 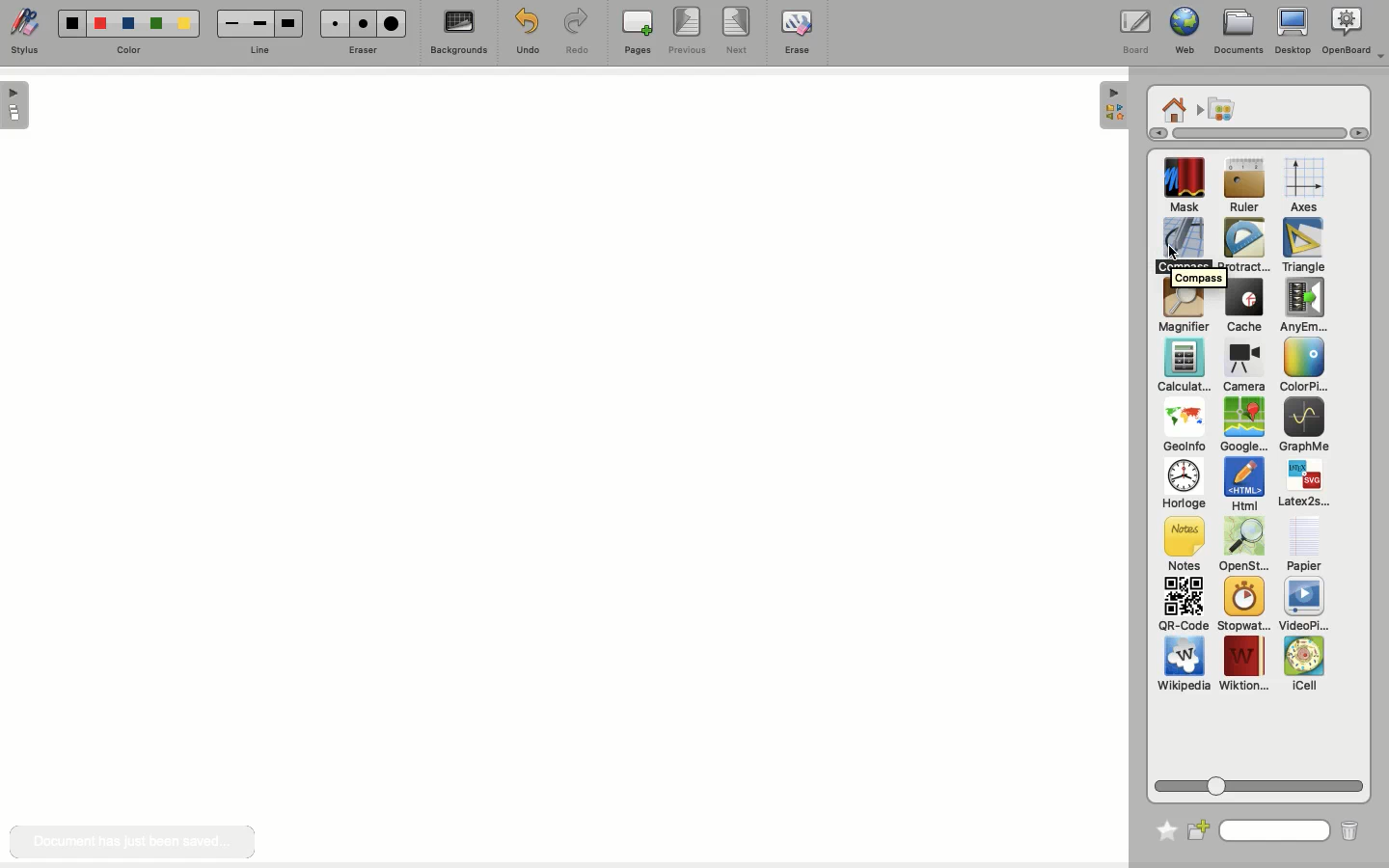 I want to click on Ruler, so click(x=1244, y=187).